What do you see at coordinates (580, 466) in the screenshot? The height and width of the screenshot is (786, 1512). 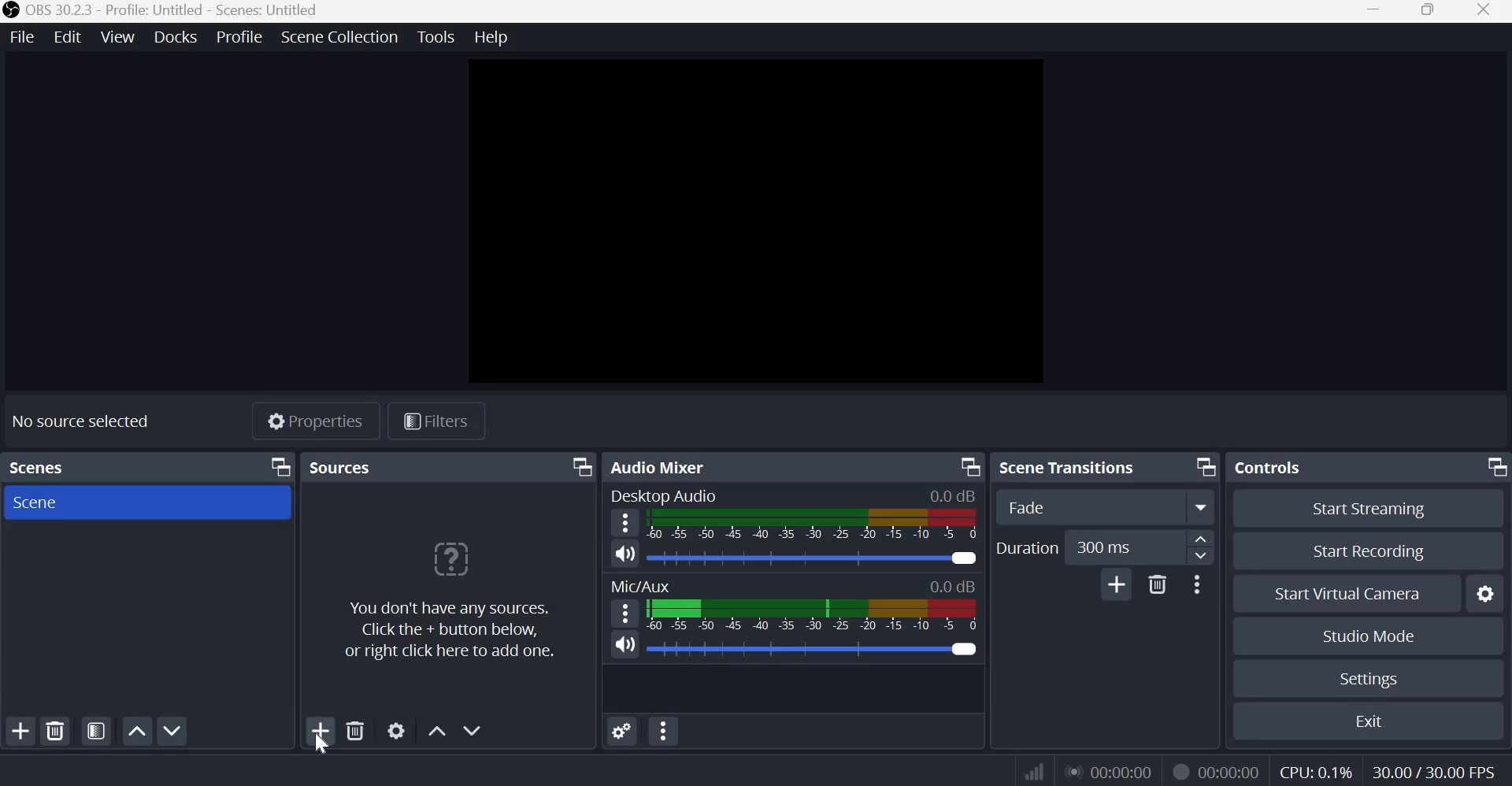 I see ` Dock Options icon` at bounding box center [580, 466].